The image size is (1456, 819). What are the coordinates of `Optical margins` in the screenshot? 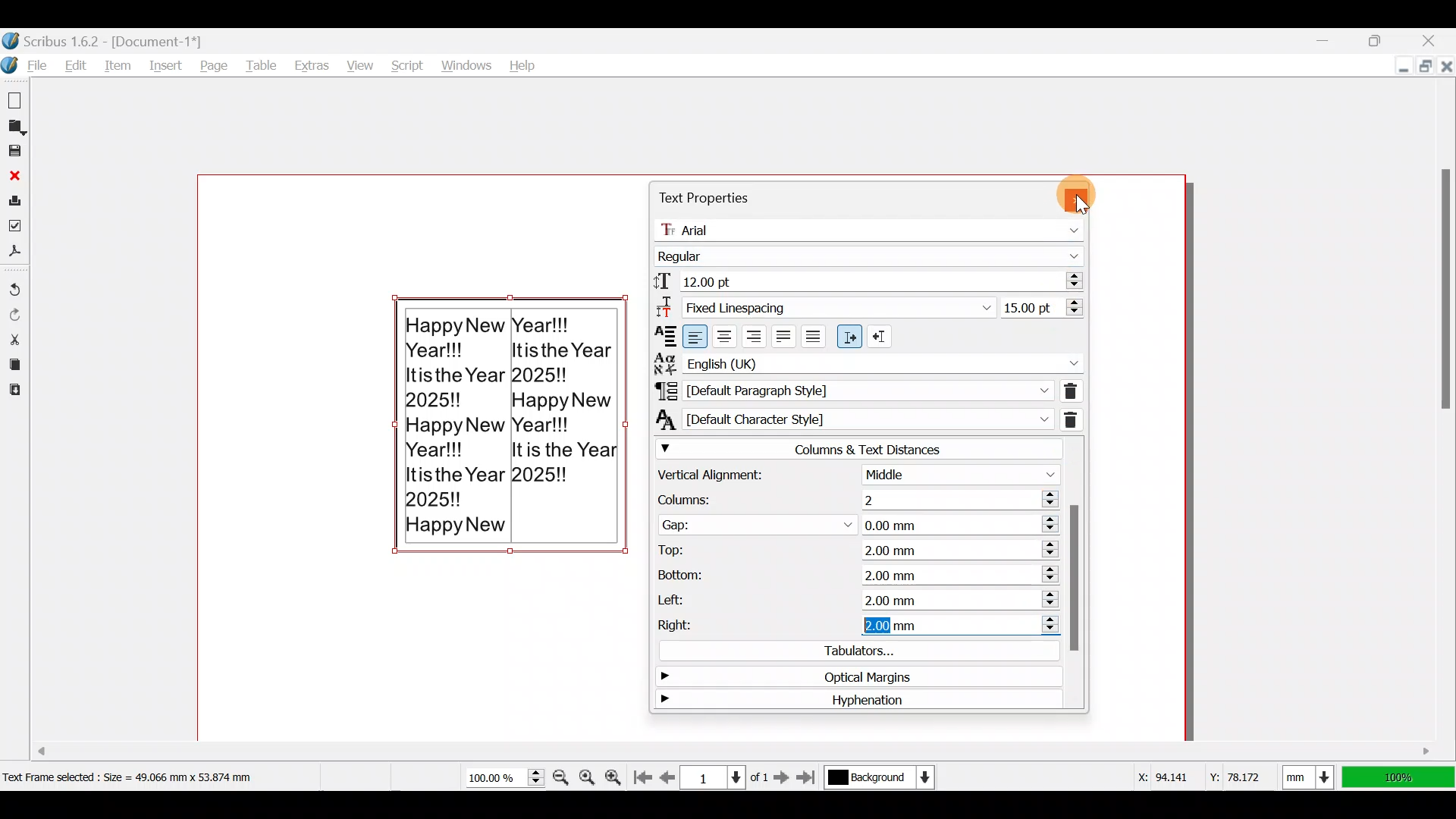 It's located at (849, 679).